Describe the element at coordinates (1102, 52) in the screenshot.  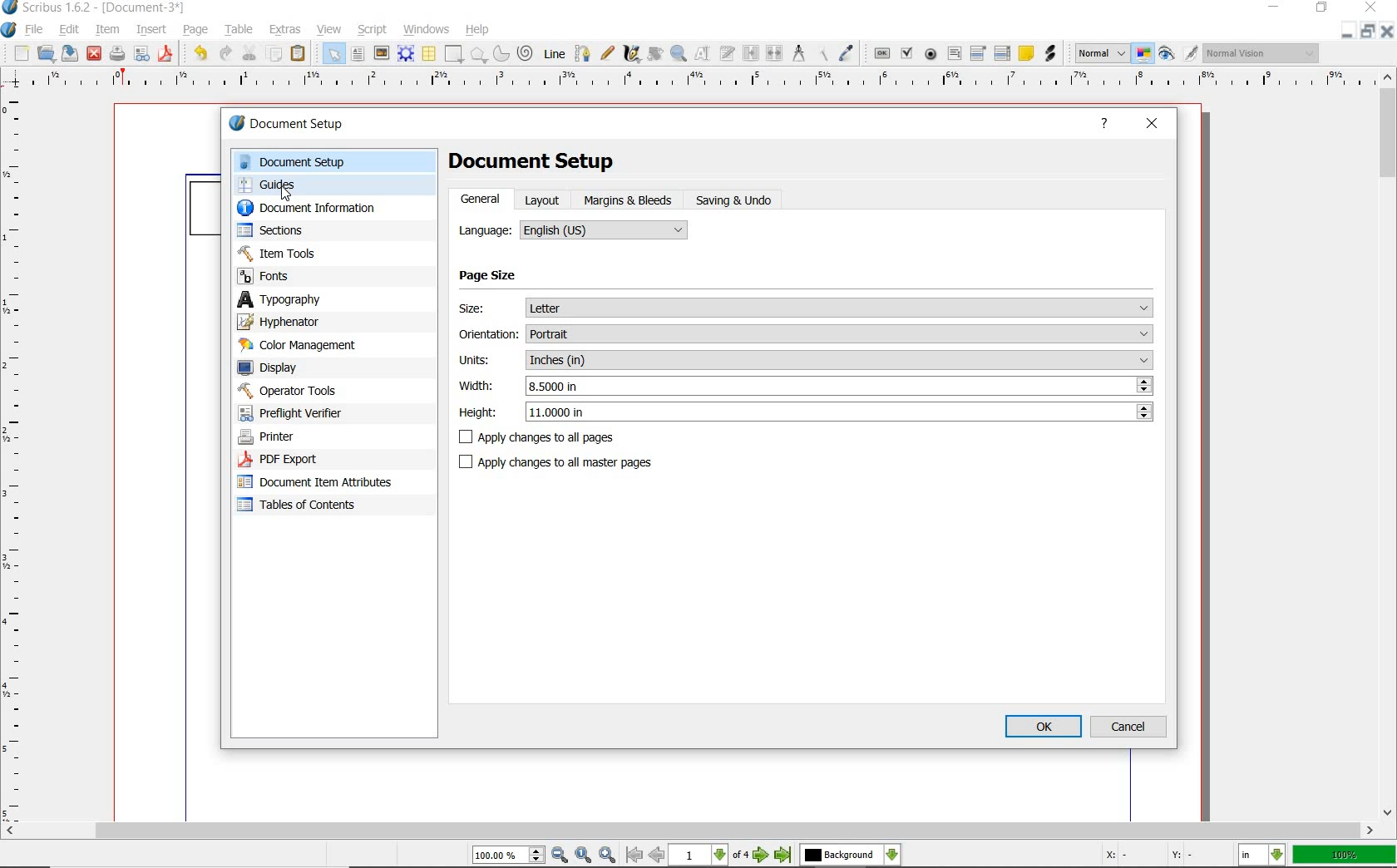
I see `select image preview mode` at that location.